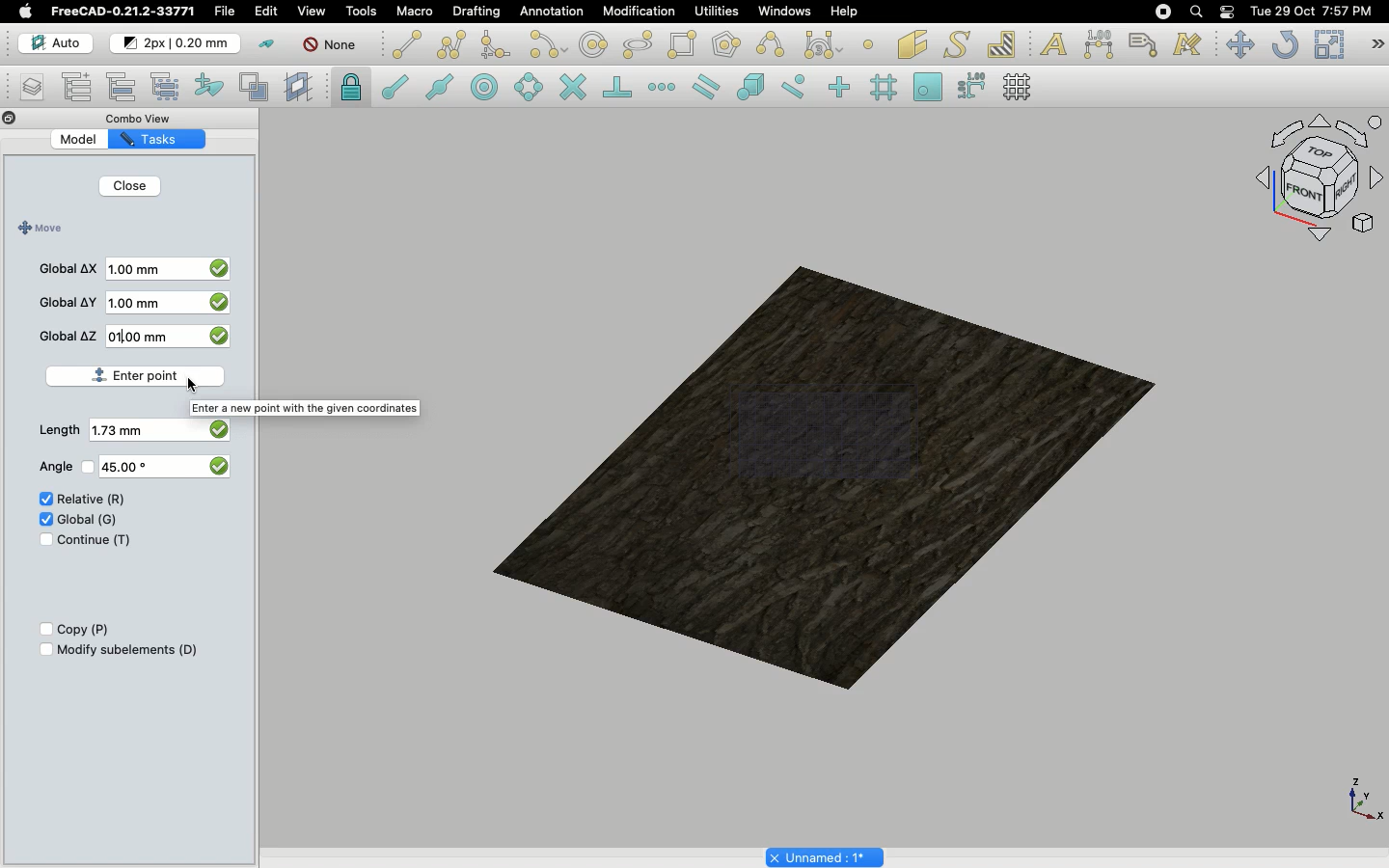 Image resolution: width=1389 pixels, height=868 pixels. What do you see at coordinates (1188, 44) in the screenshot?
I see `Annotation styles` at bounding box center [1188, 44].